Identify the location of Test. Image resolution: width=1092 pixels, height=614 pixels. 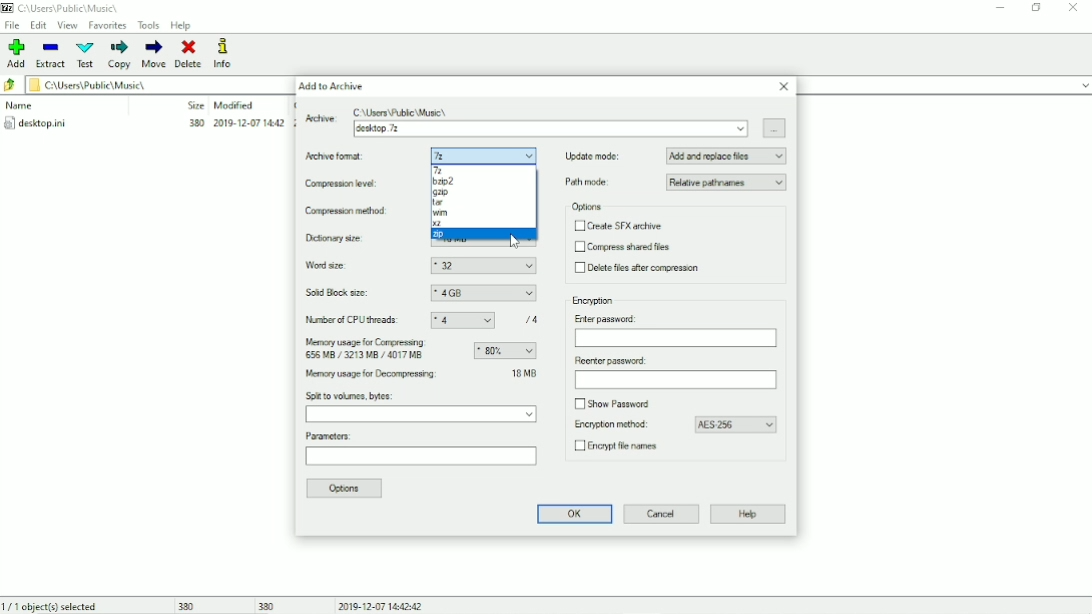
(86, 55).